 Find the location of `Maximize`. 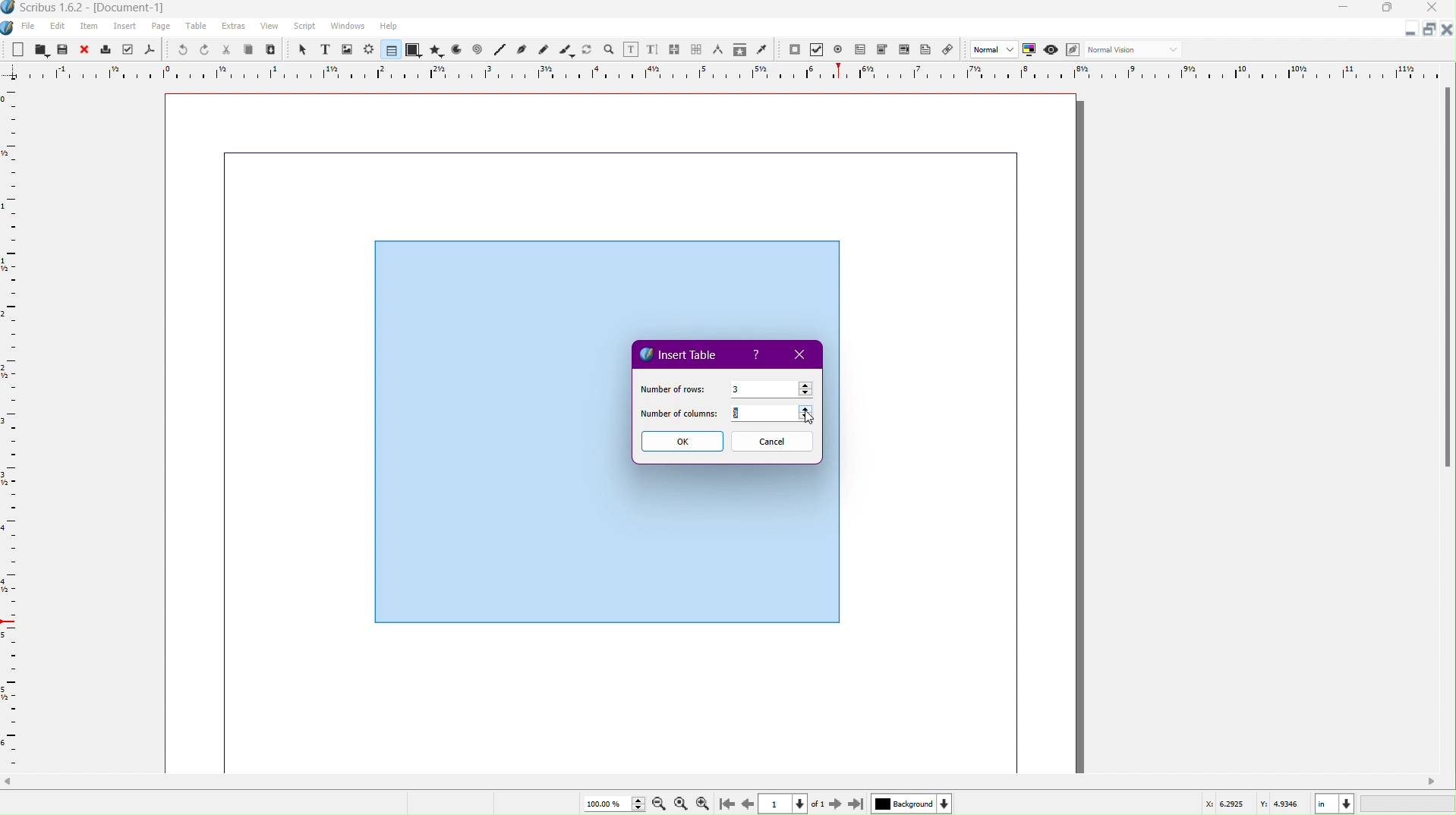

Maximize is located at coordinates (1390, 10).